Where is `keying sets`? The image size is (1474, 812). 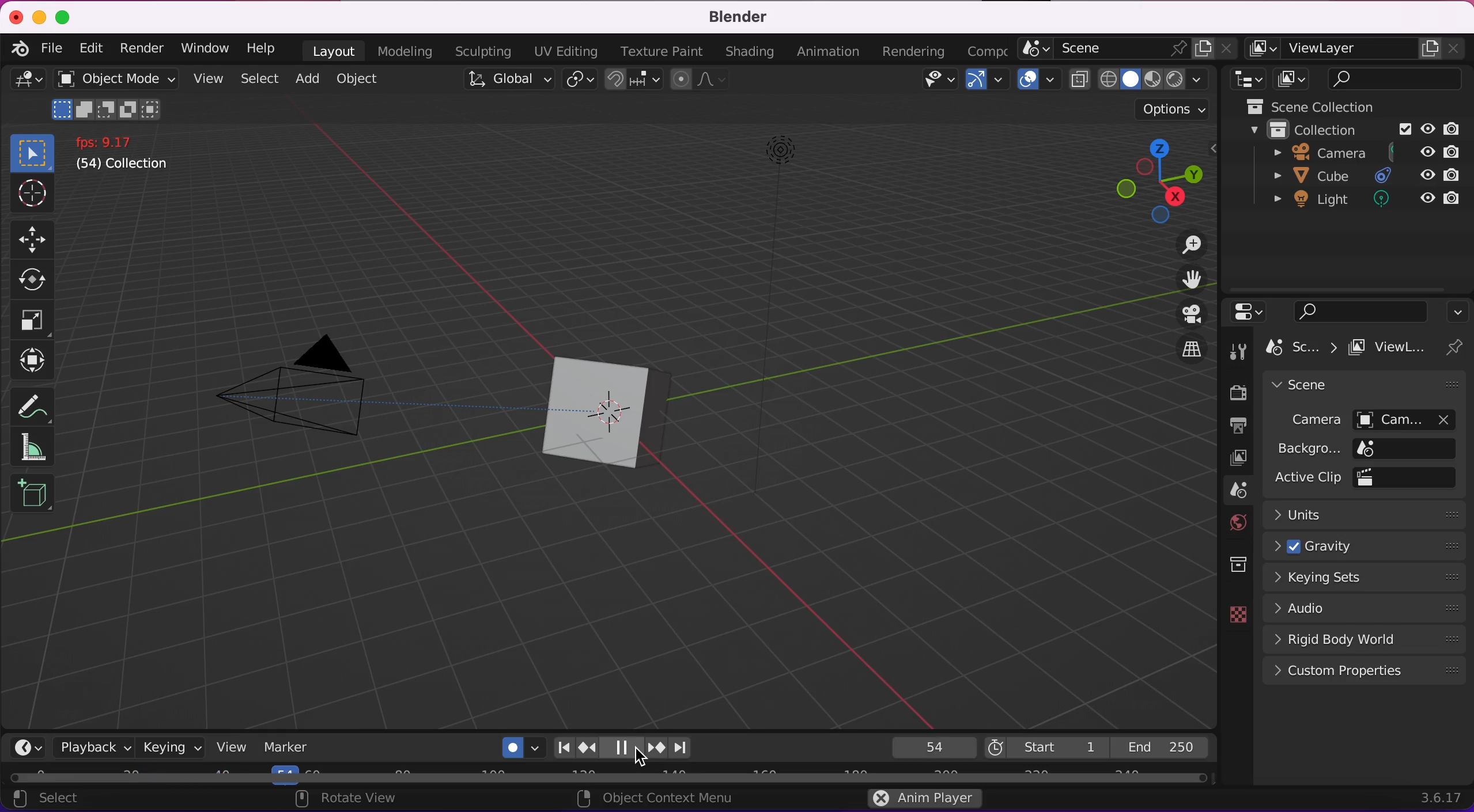 keying sets is located at coordinates (1367, 577).